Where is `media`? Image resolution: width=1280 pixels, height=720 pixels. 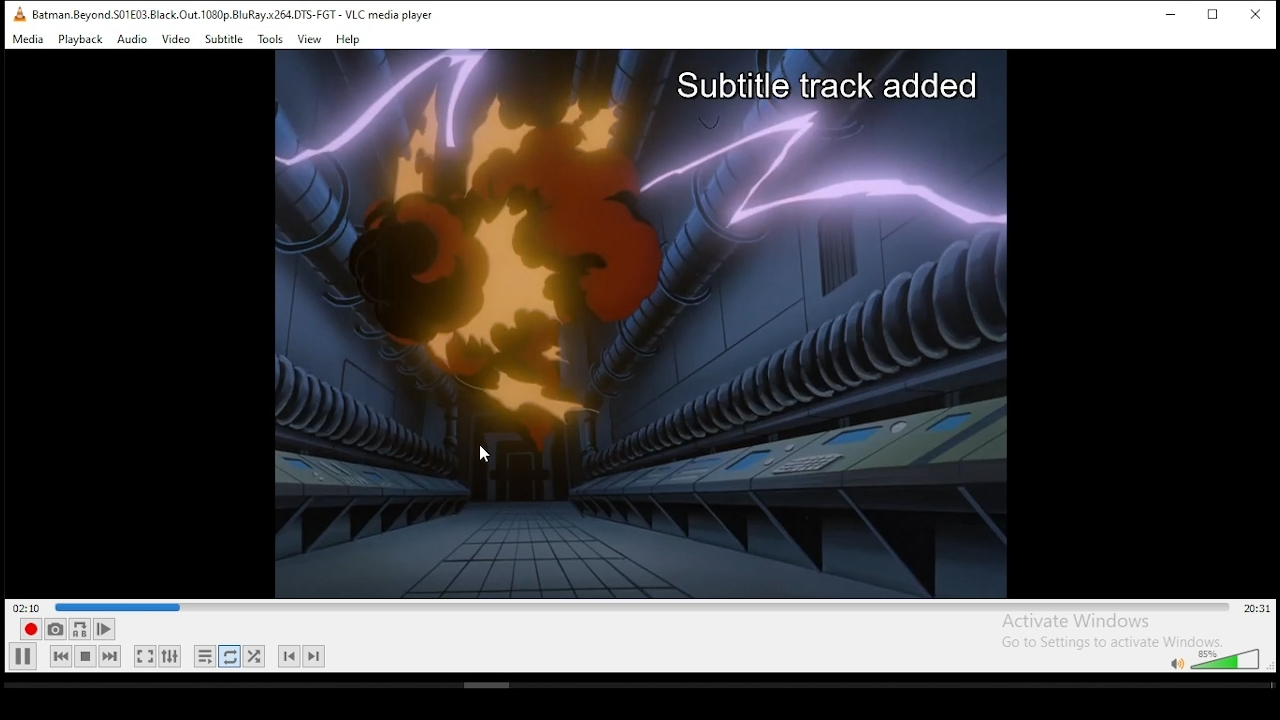 media is located at coordinates (28, 39).